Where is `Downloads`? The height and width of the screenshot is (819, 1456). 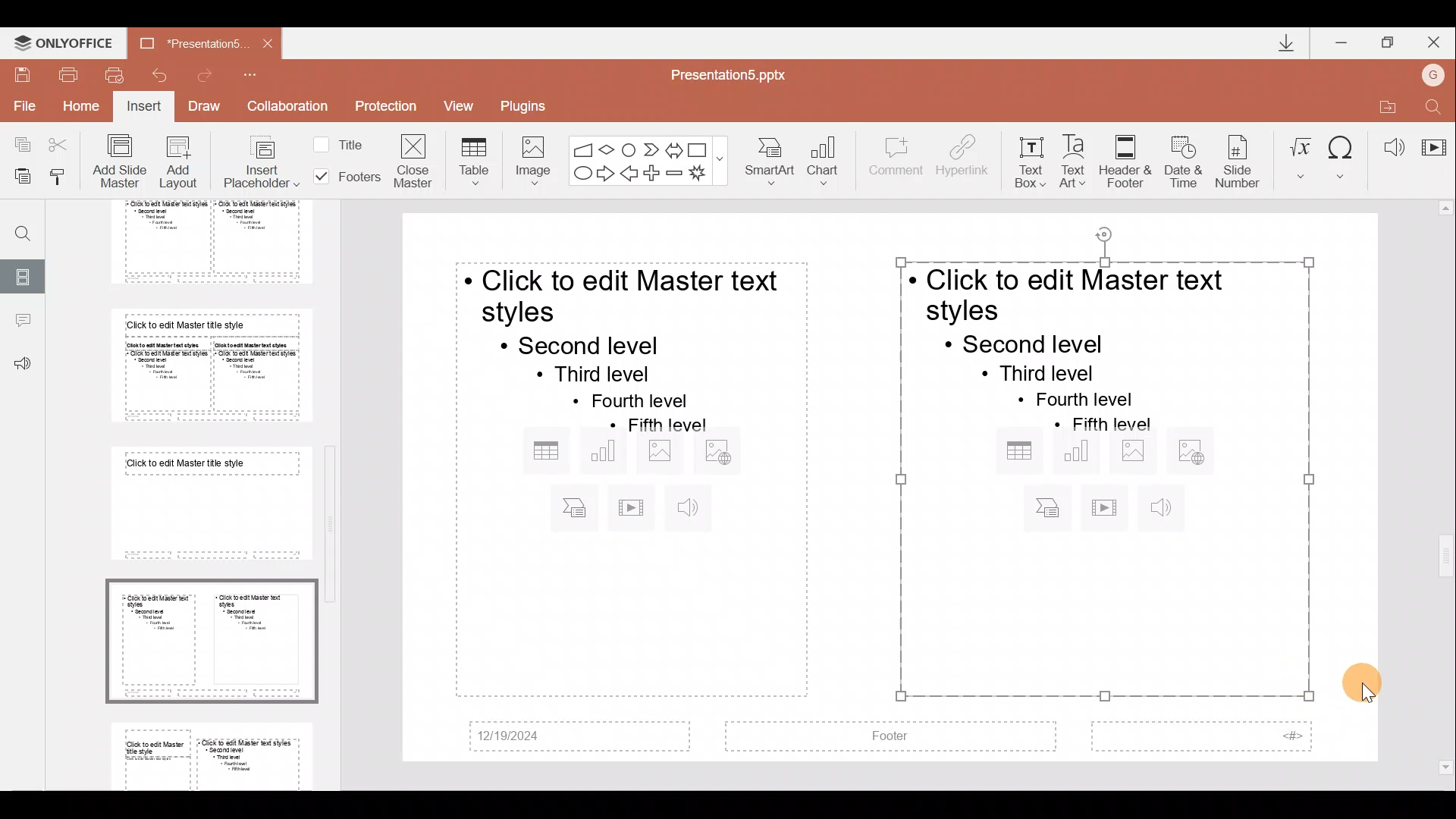 Downloads is located at coordinates (1280, 42).